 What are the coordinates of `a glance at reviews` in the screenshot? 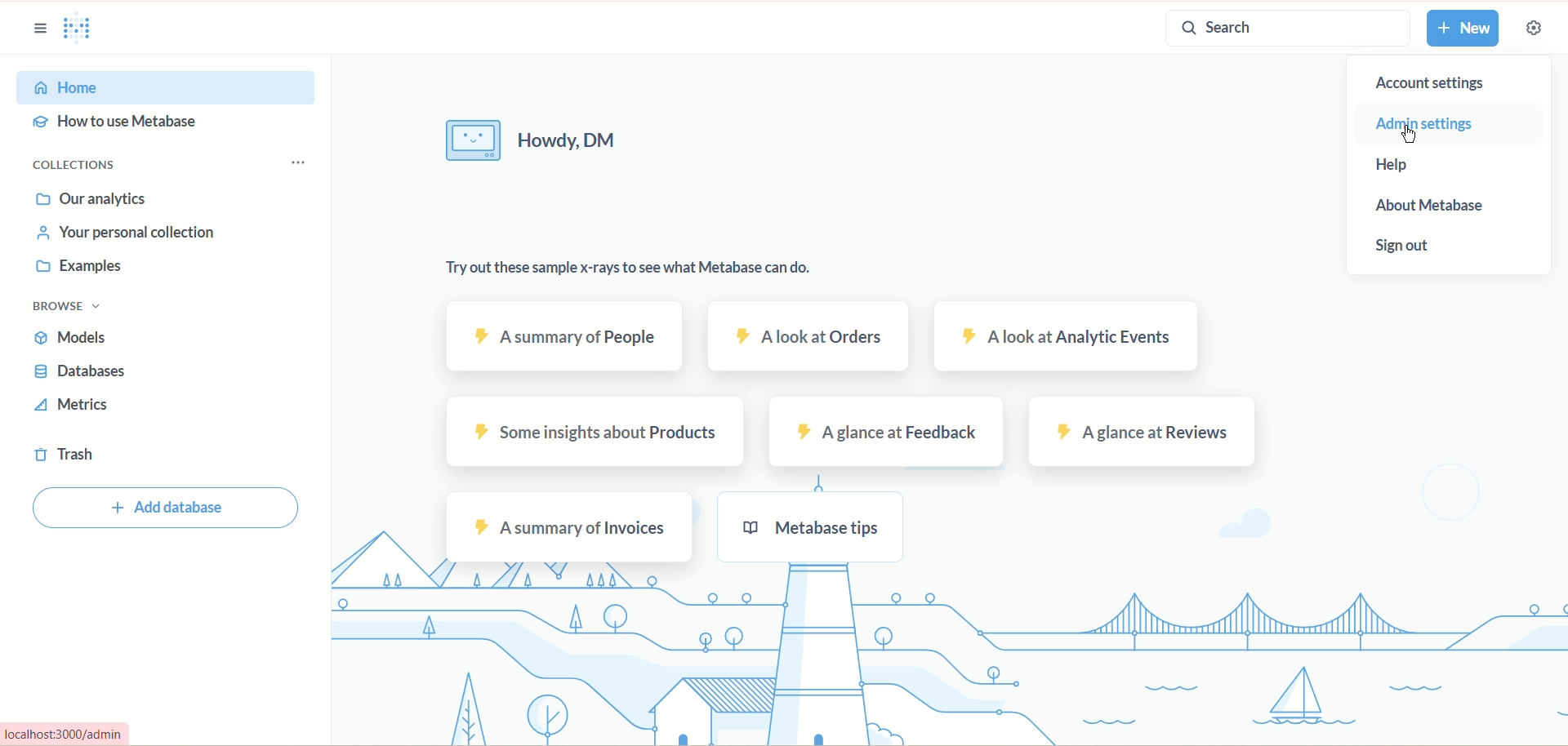 It's located at (1141, 431).